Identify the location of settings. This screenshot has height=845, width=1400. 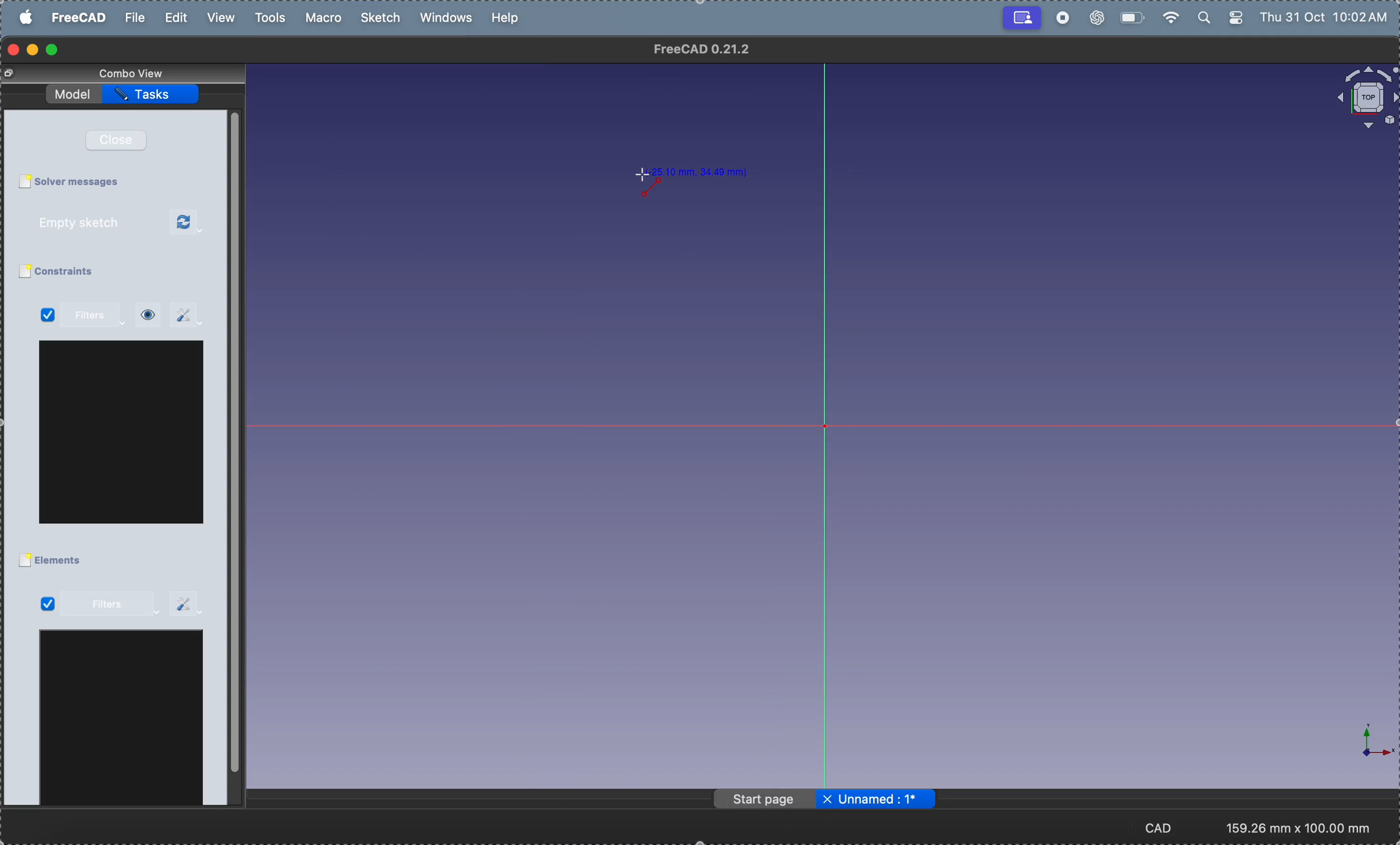
(187, 315).